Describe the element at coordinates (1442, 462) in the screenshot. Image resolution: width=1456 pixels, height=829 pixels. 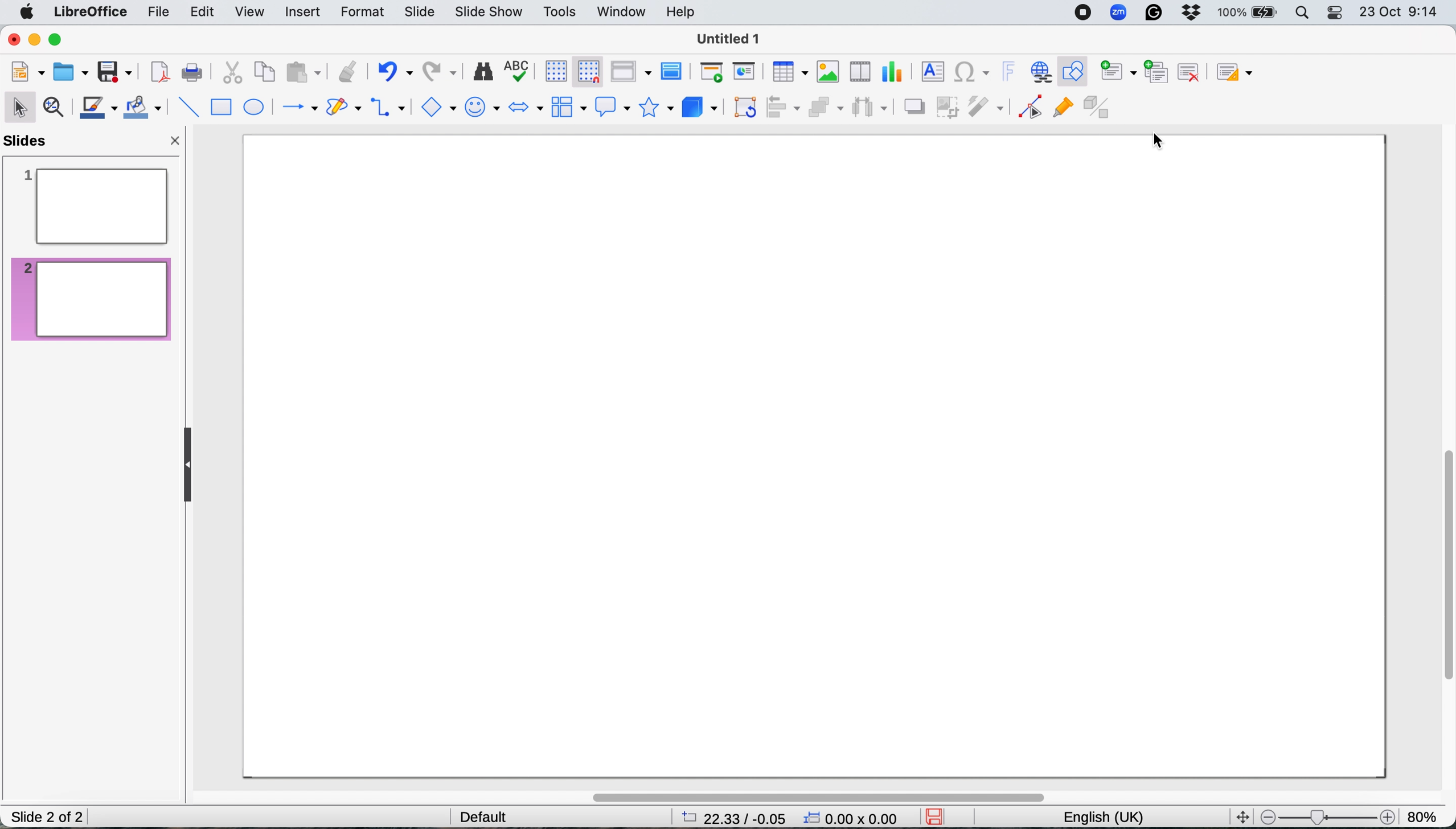
I see `vertical scroll bar` at that location.